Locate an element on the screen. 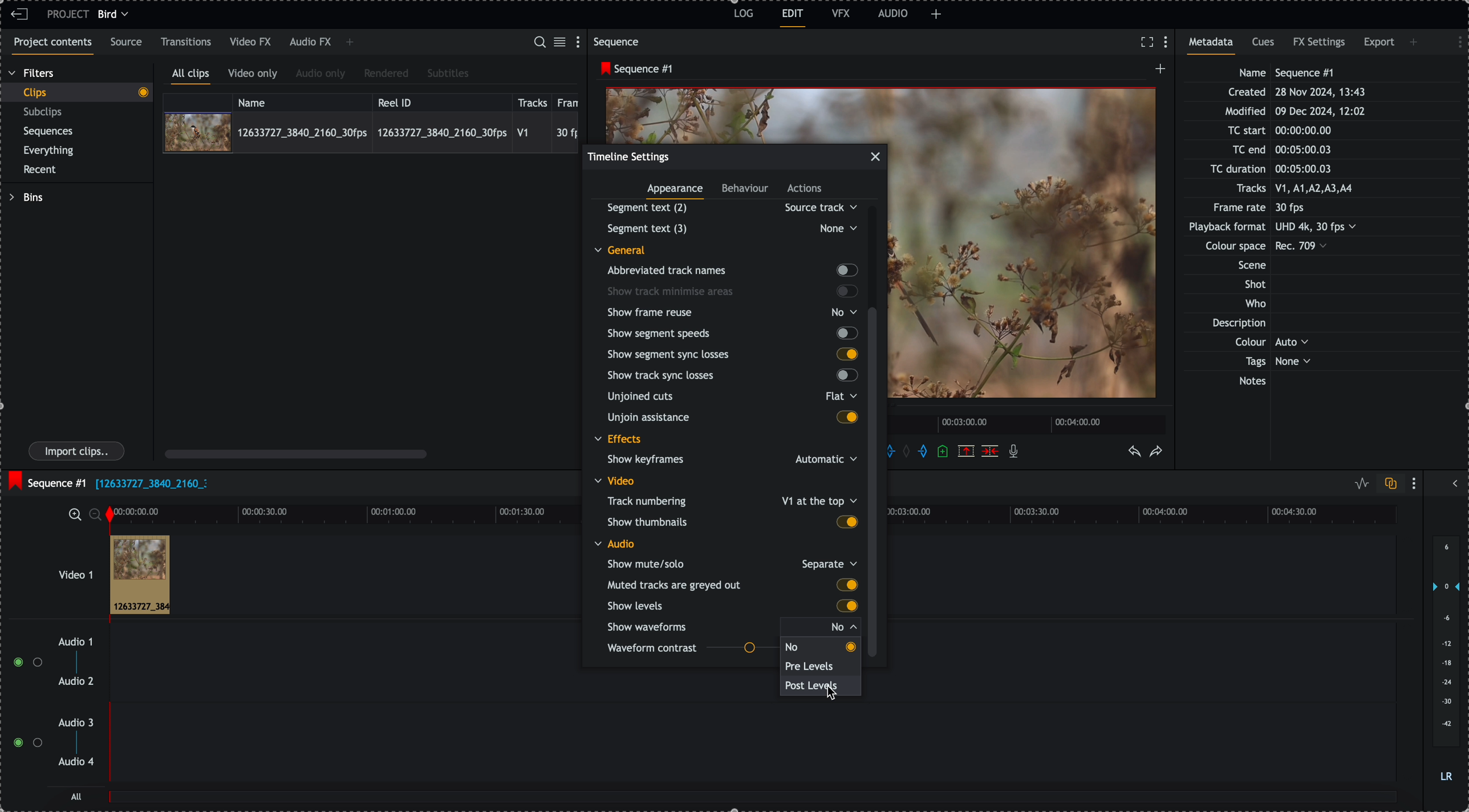 The width and height of the screenshot is (1469, 812). leave is located at coordinates (19, 15).